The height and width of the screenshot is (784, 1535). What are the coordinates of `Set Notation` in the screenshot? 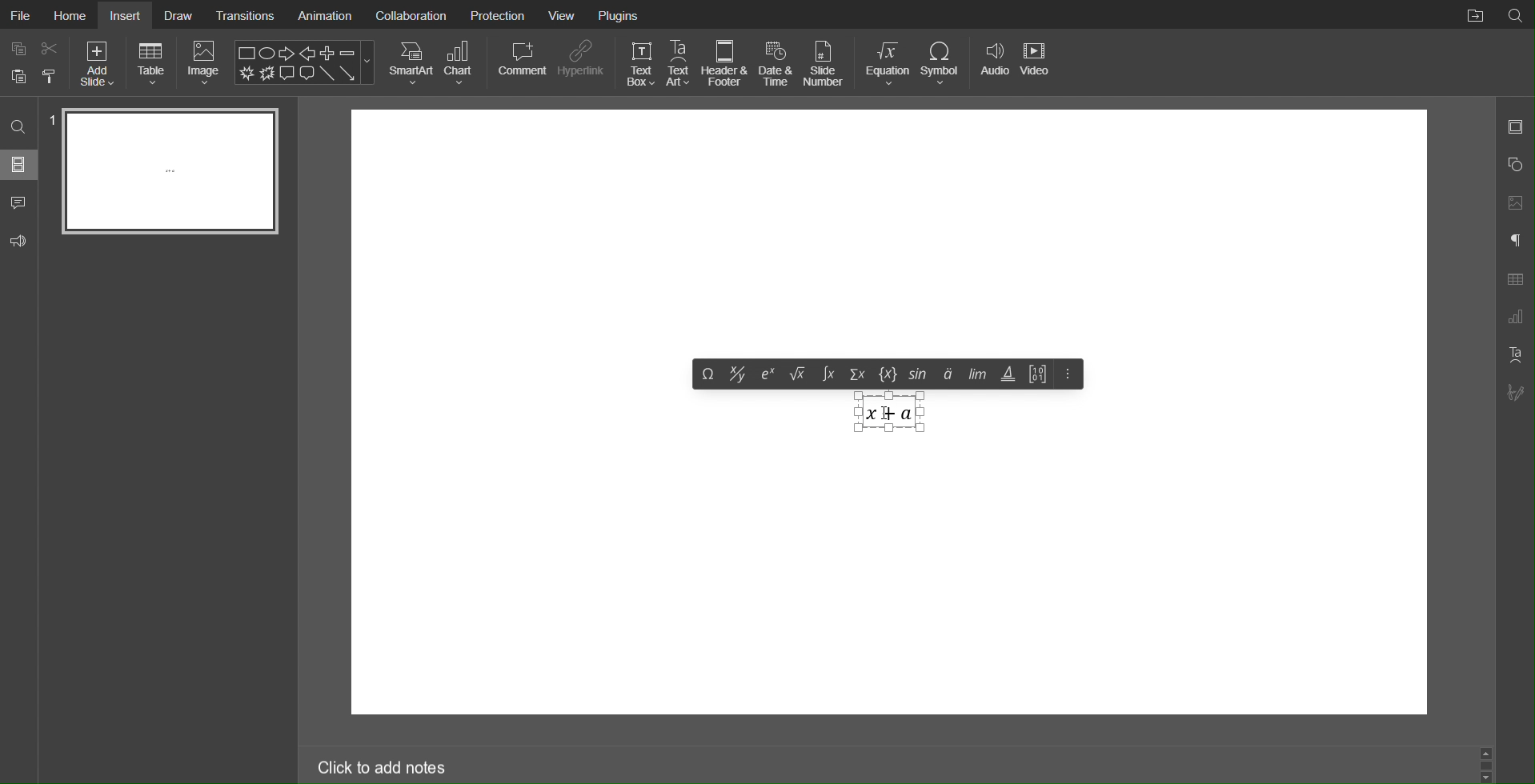 It's located at (891, 374).